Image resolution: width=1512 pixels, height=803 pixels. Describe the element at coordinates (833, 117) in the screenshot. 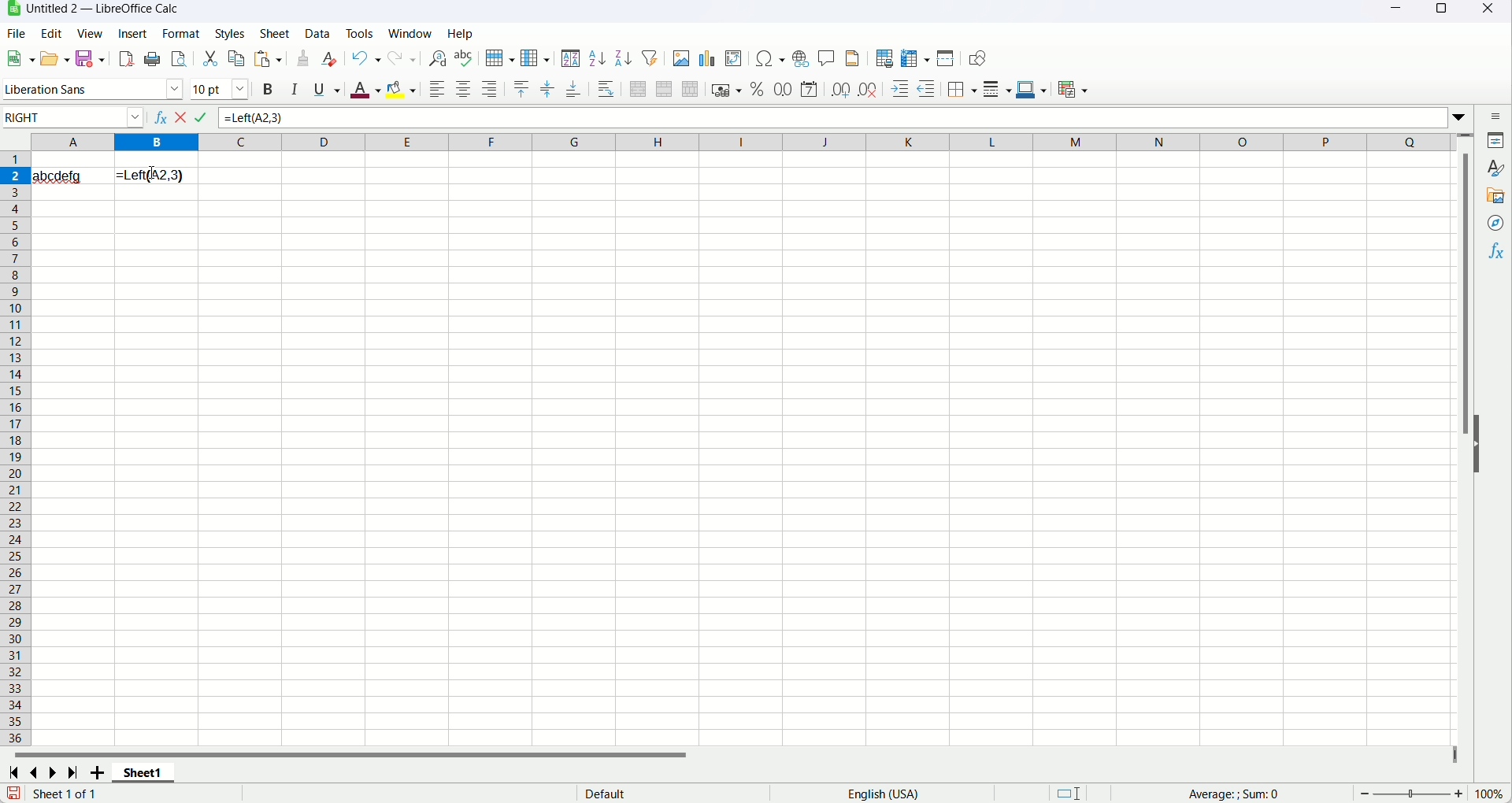

I see `=Left(A2,3)` at that location.